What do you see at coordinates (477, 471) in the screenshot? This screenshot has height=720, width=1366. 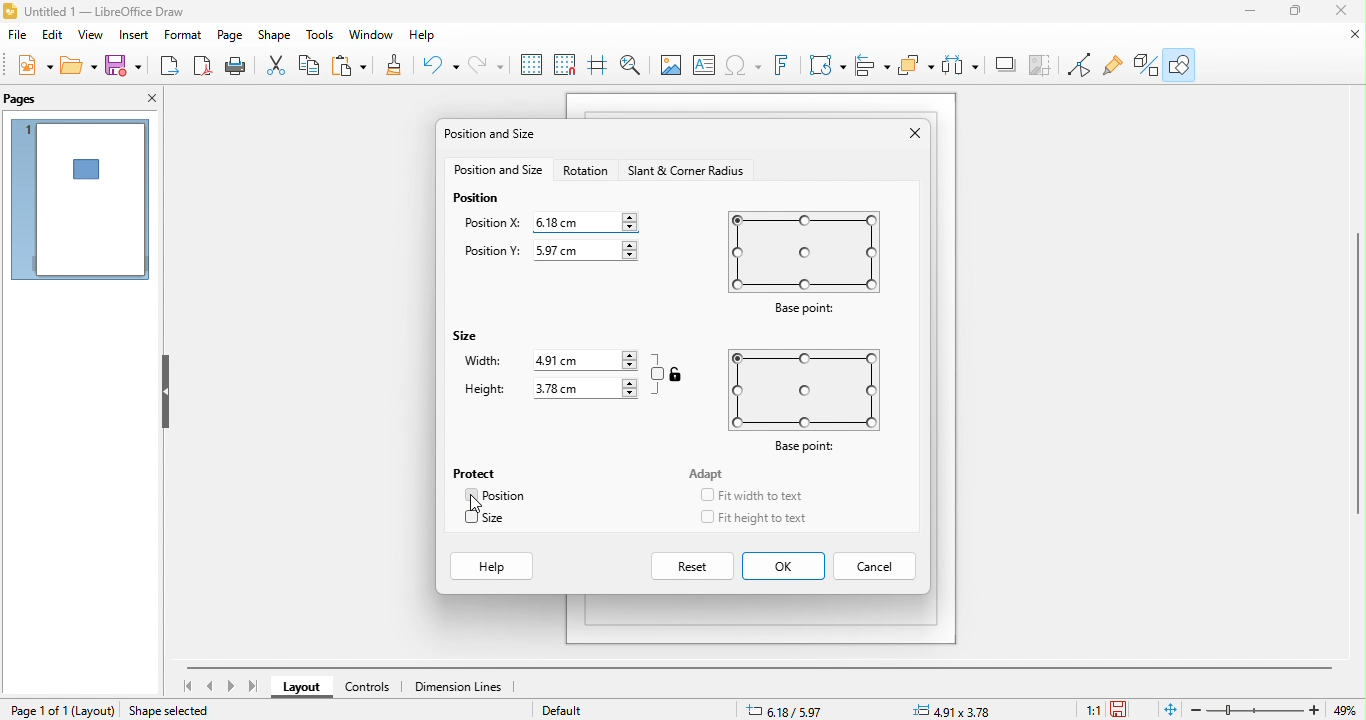 I see `protect` at bounding box center [477, 471].